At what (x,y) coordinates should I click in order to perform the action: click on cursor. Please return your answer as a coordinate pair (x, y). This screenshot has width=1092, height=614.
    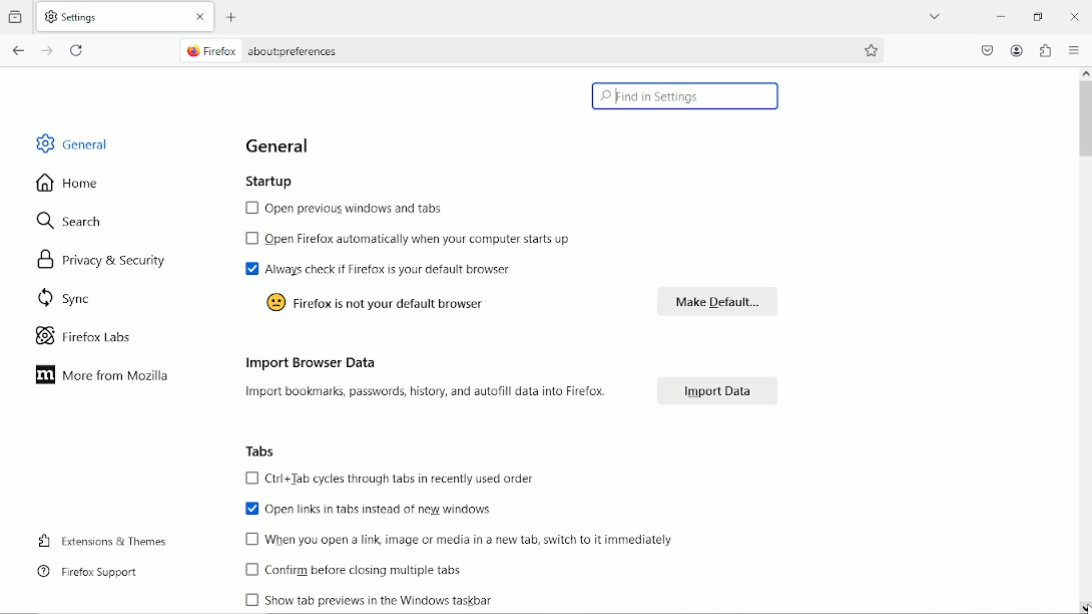
    Looking at the image, I should click on (1082, 607).